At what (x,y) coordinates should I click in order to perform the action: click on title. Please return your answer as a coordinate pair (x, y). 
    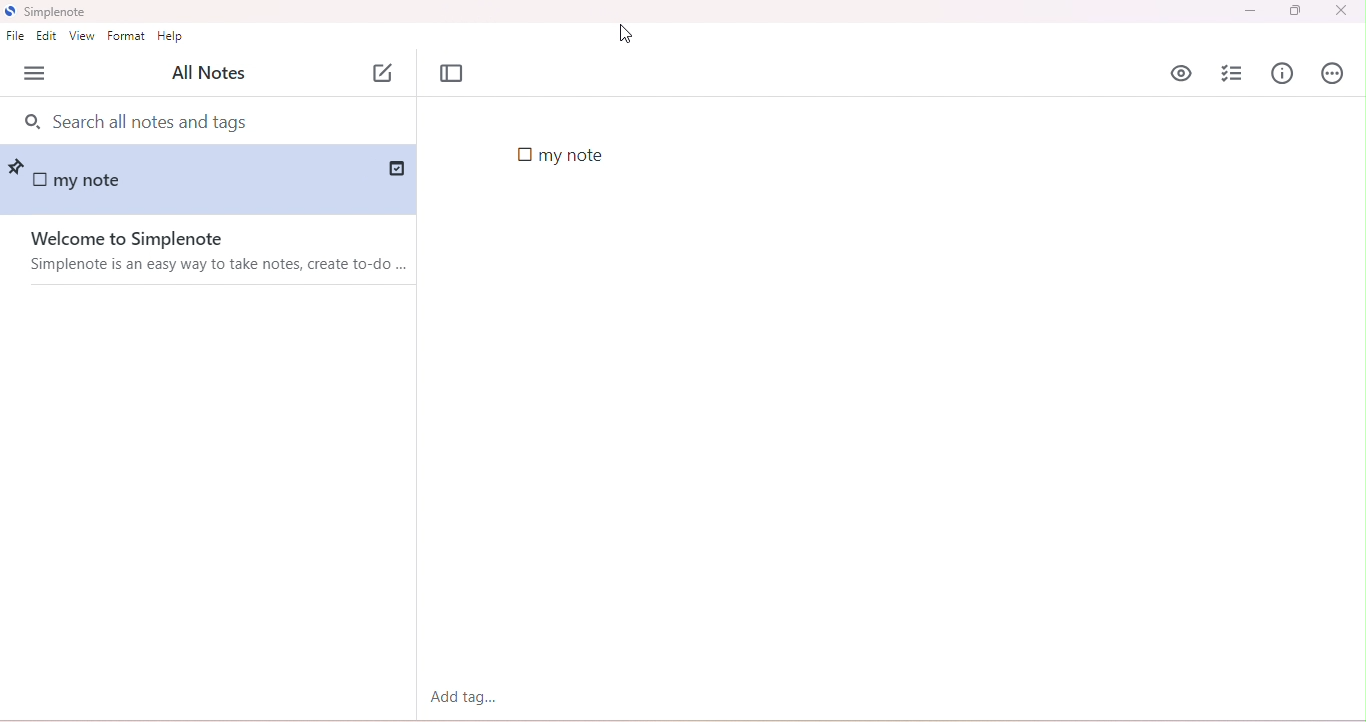
    Looking at the image, I should click on (49, 12).